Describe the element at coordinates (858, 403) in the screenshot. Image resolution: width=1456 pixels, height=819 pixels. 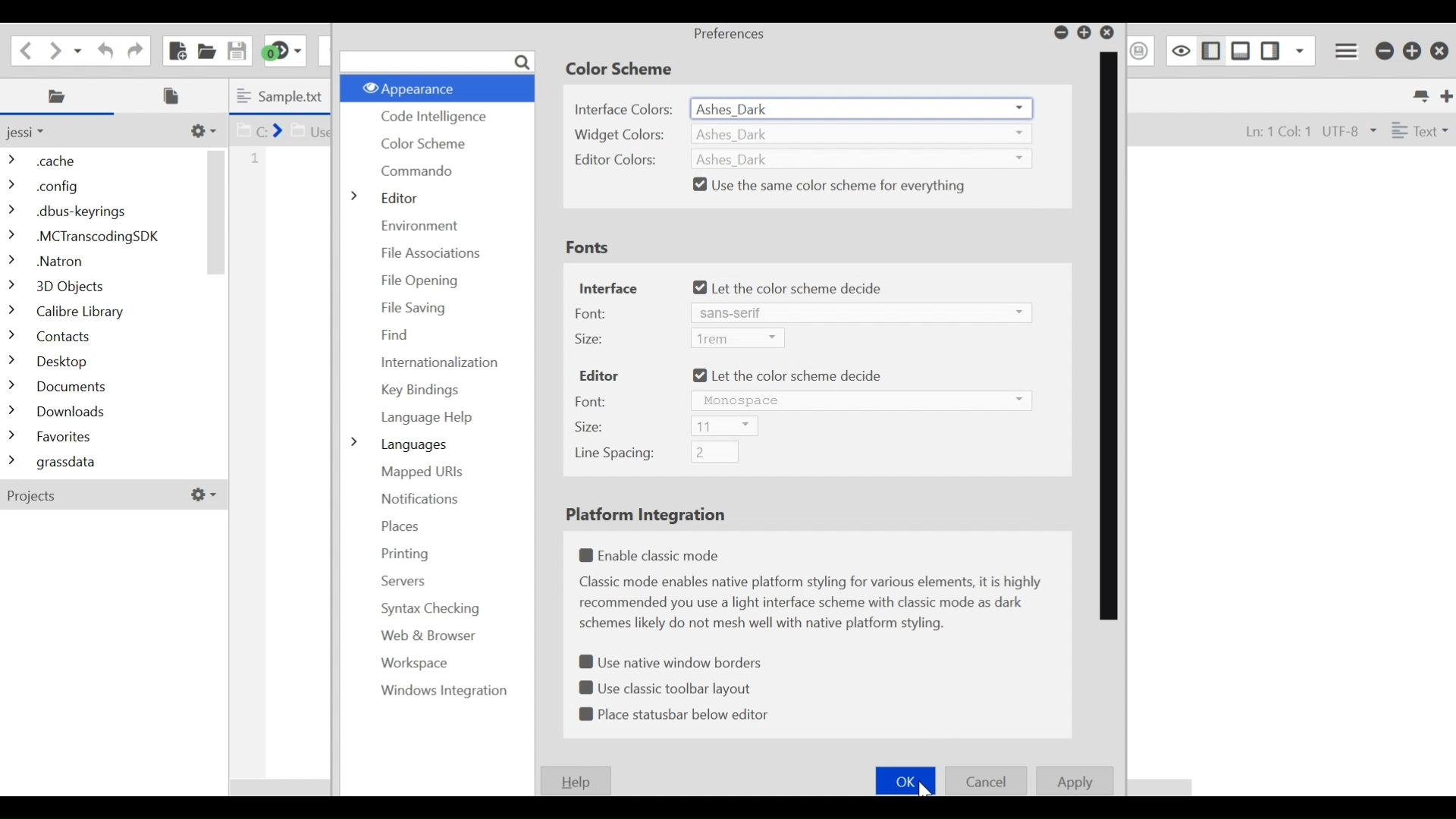
I see `isotope` at that location.